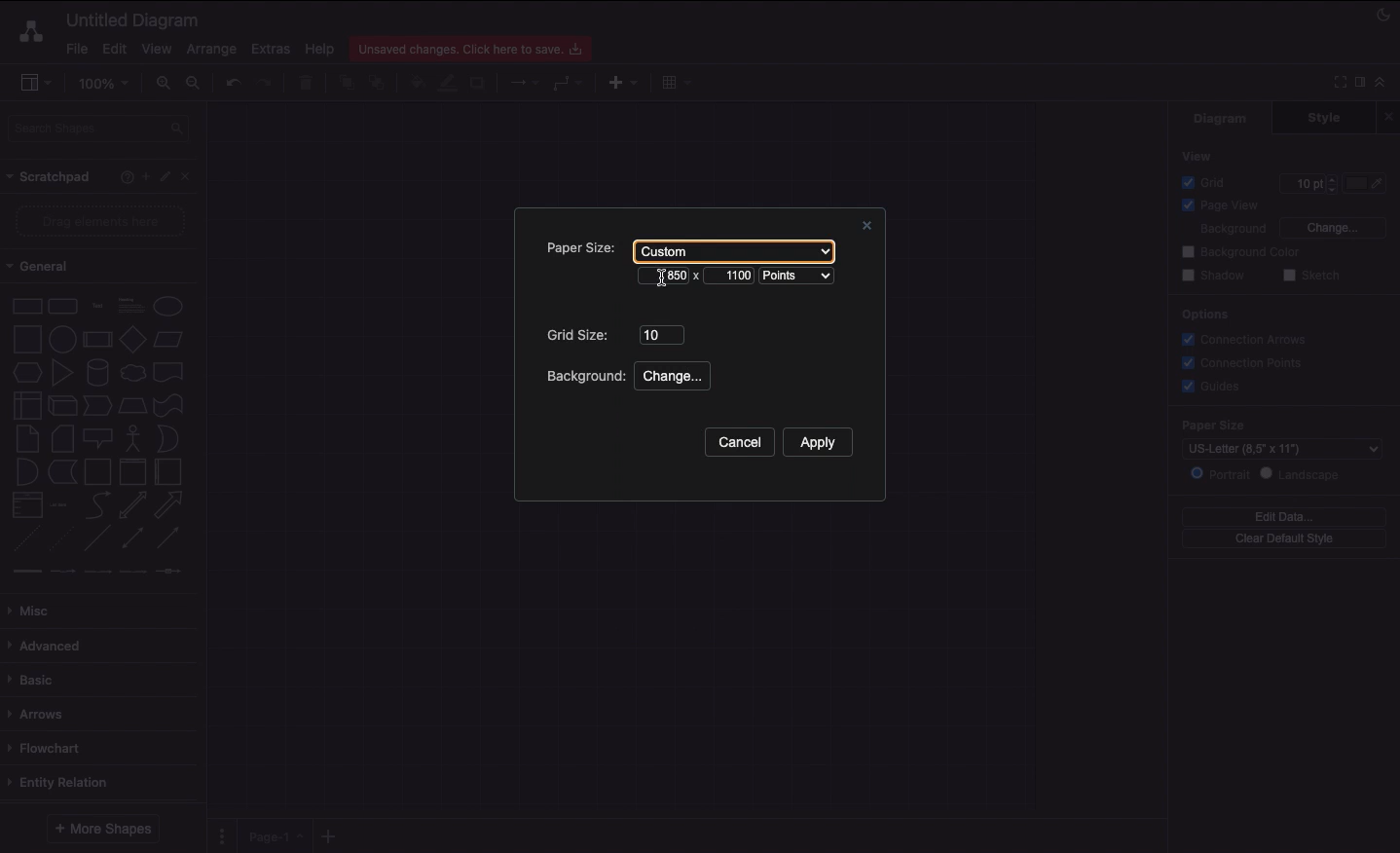 The image size is (1400, 853). What do you see at coordinates (133, 538) in the screenshot?
I see `Bidirectional connector` at bounding box center [133, 538].